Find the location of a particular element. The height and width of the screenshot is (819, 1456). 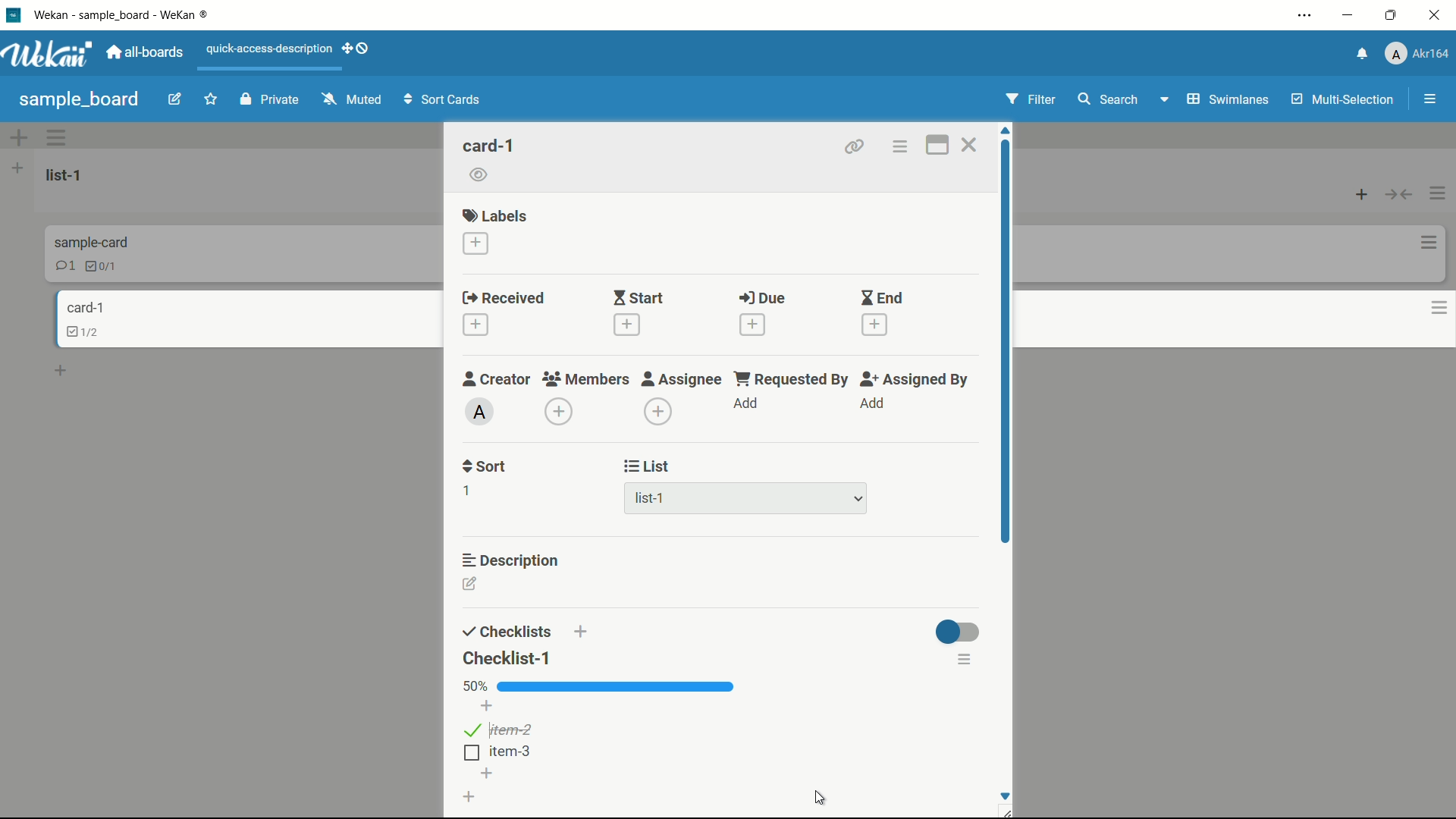

favorites is located at coordinates (212, 98).